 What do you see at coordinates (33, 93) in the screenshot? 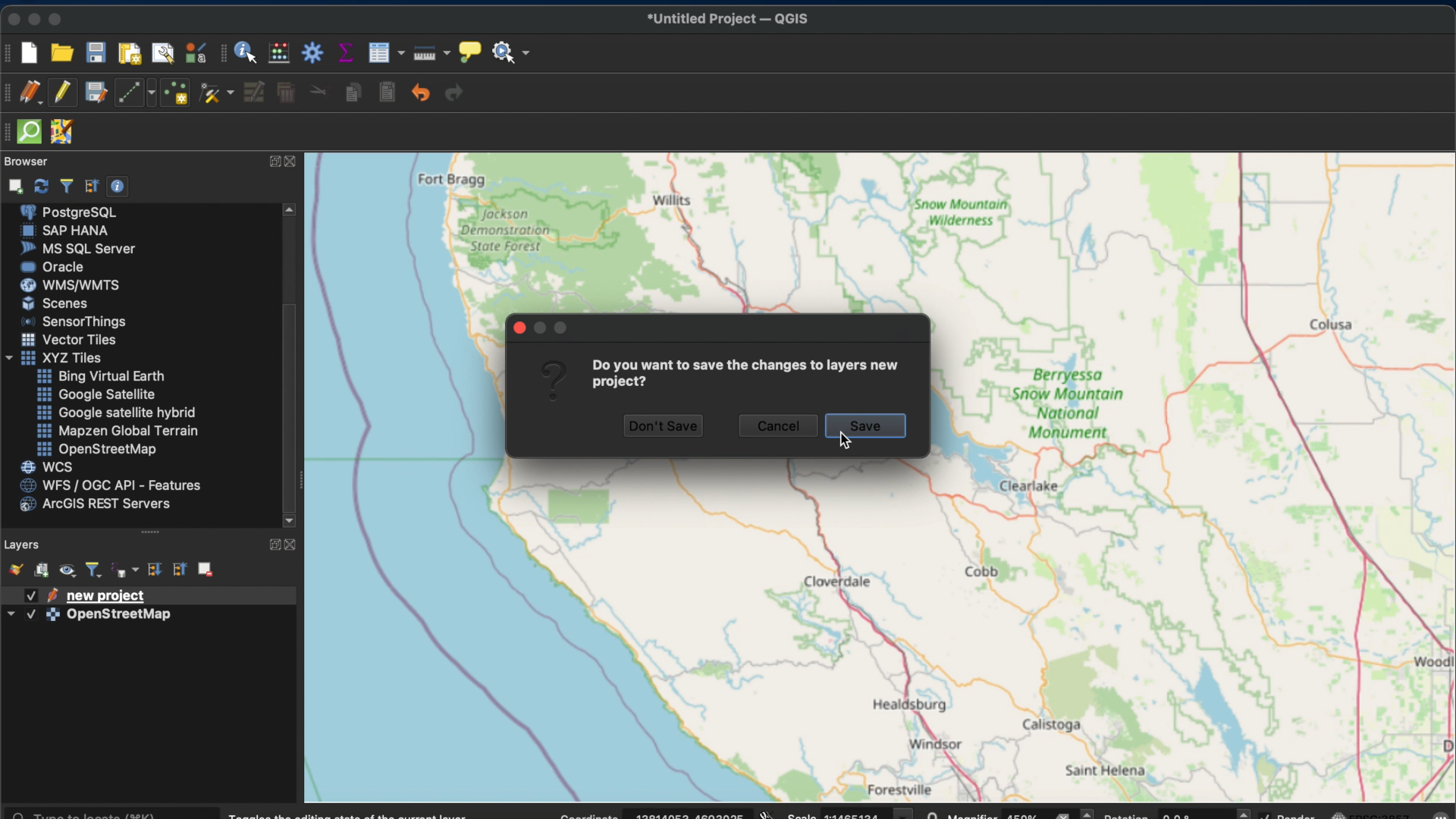
I see `current edits` at bounding box center [33, 93].